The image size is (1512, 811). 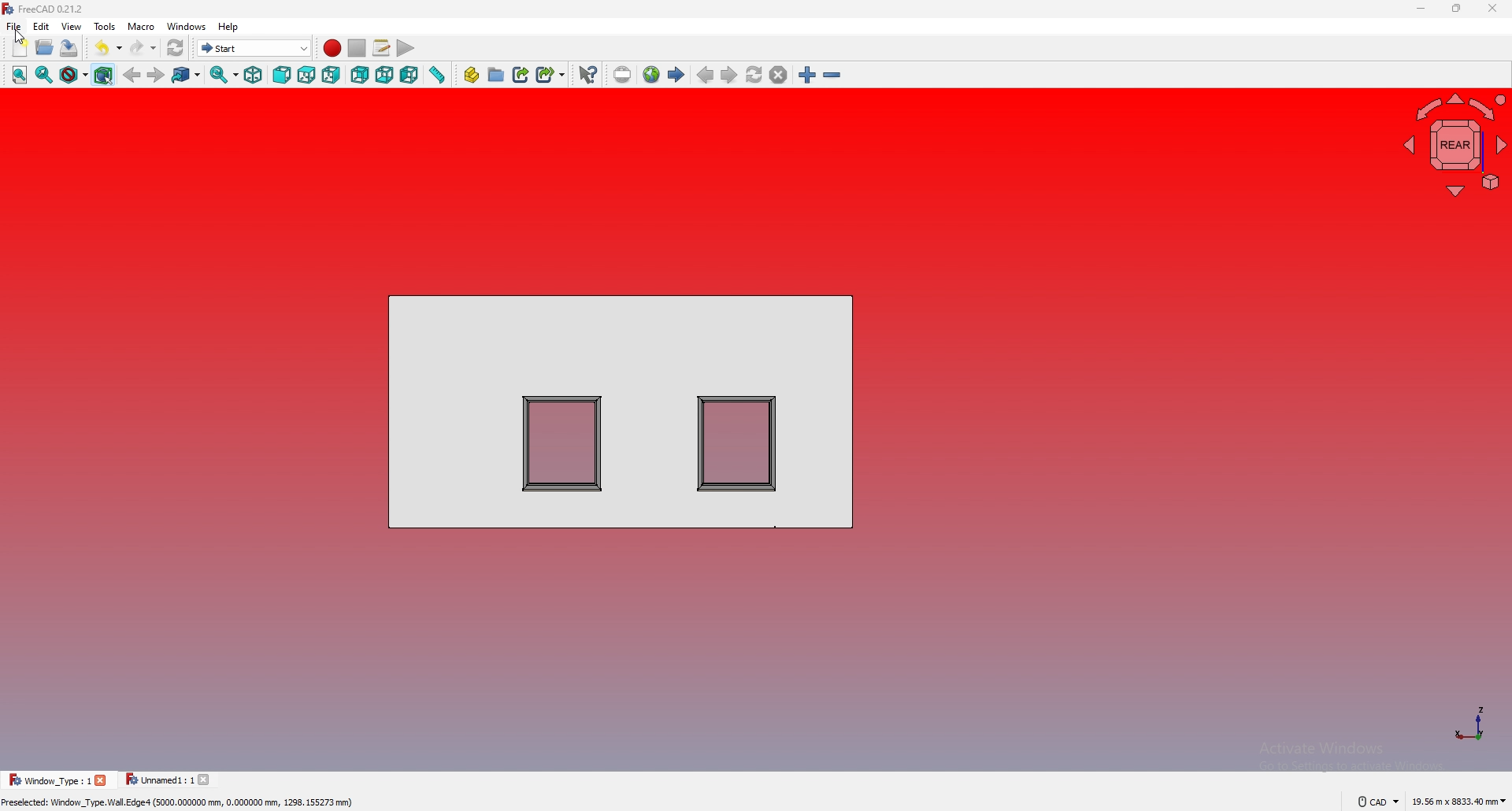 I want to click on help, so click(x=229, y=27).